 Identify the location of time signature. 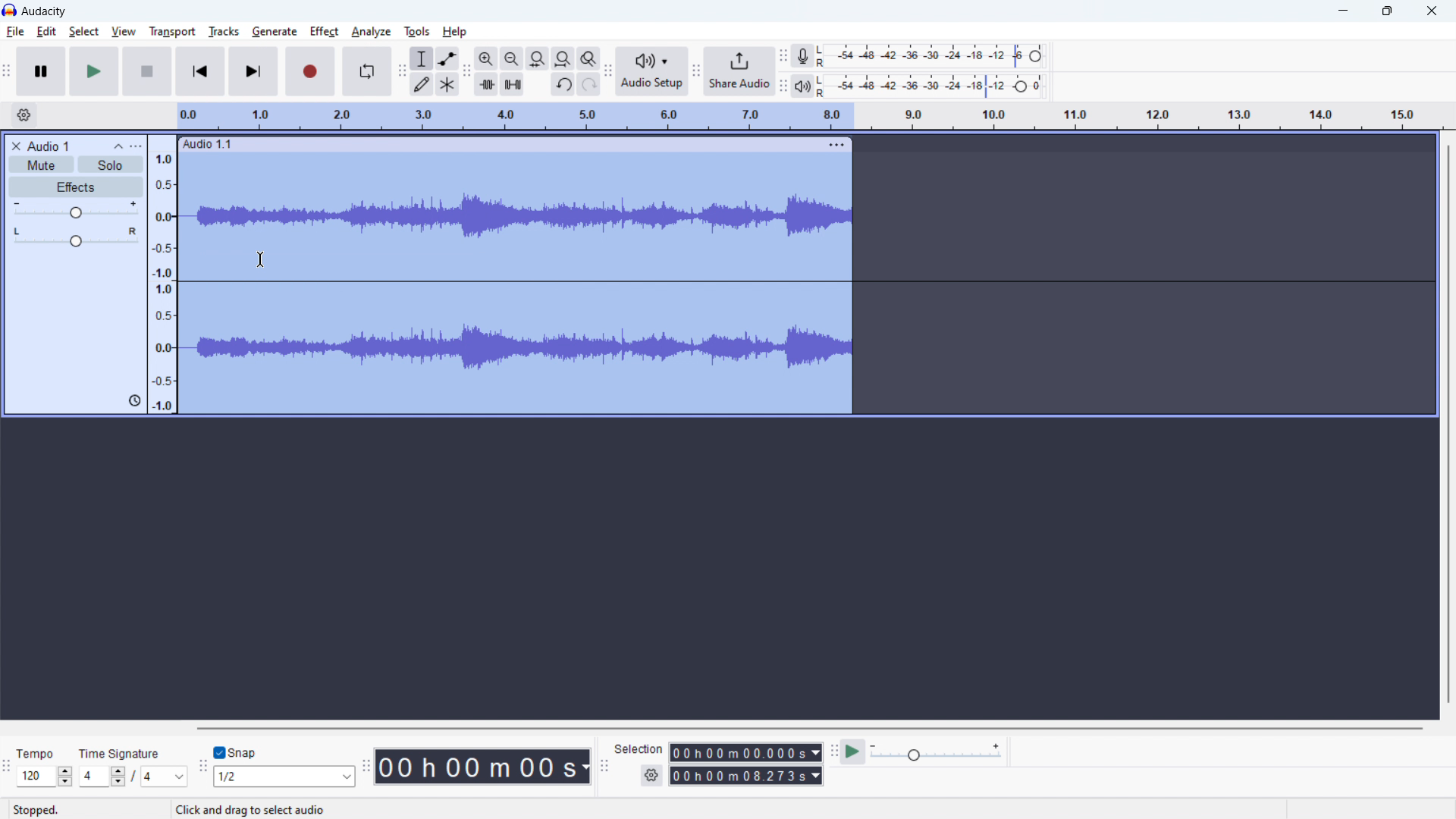
(133, 777).